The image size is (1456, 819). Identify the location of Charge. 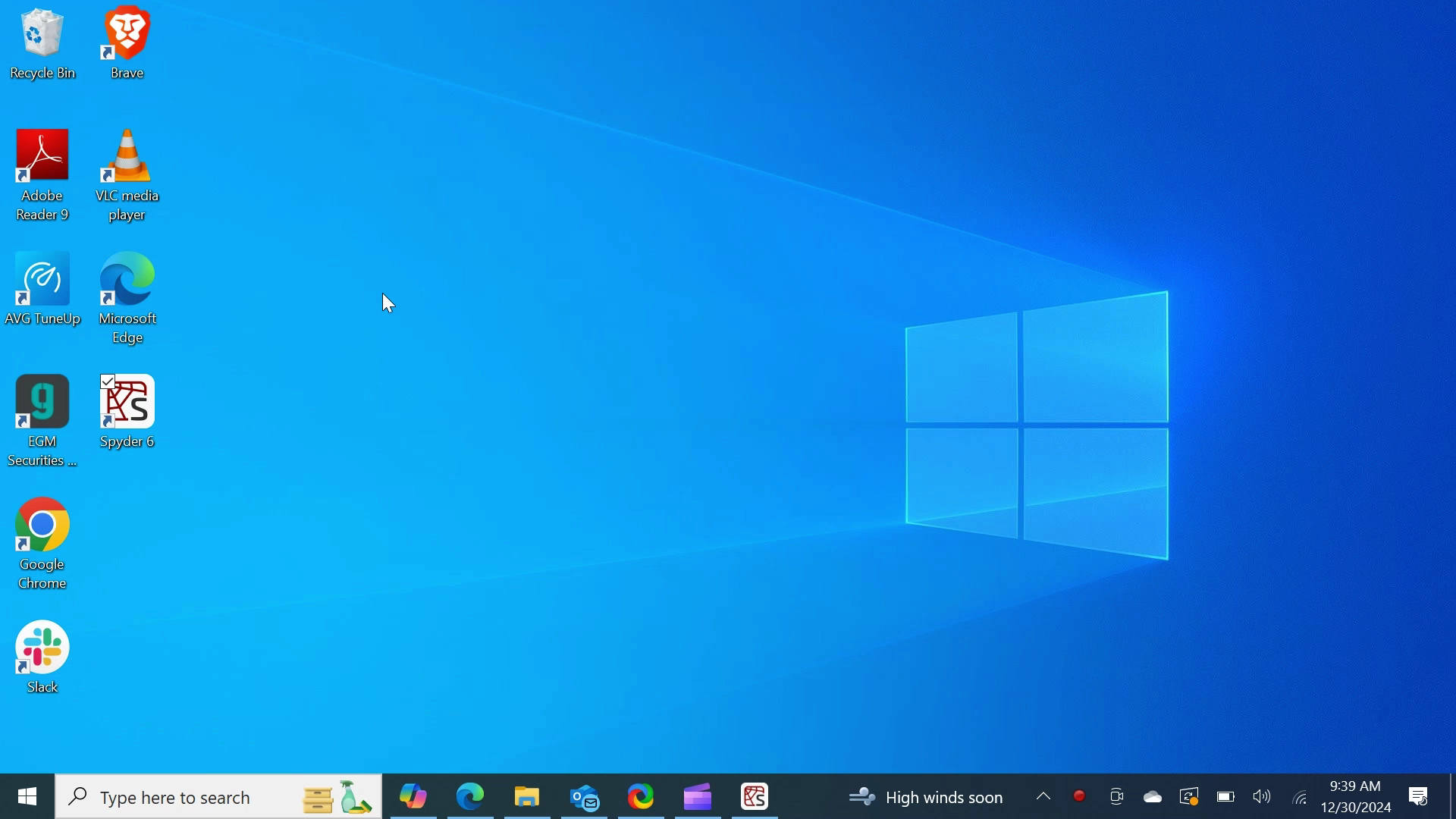
(1225, 796).